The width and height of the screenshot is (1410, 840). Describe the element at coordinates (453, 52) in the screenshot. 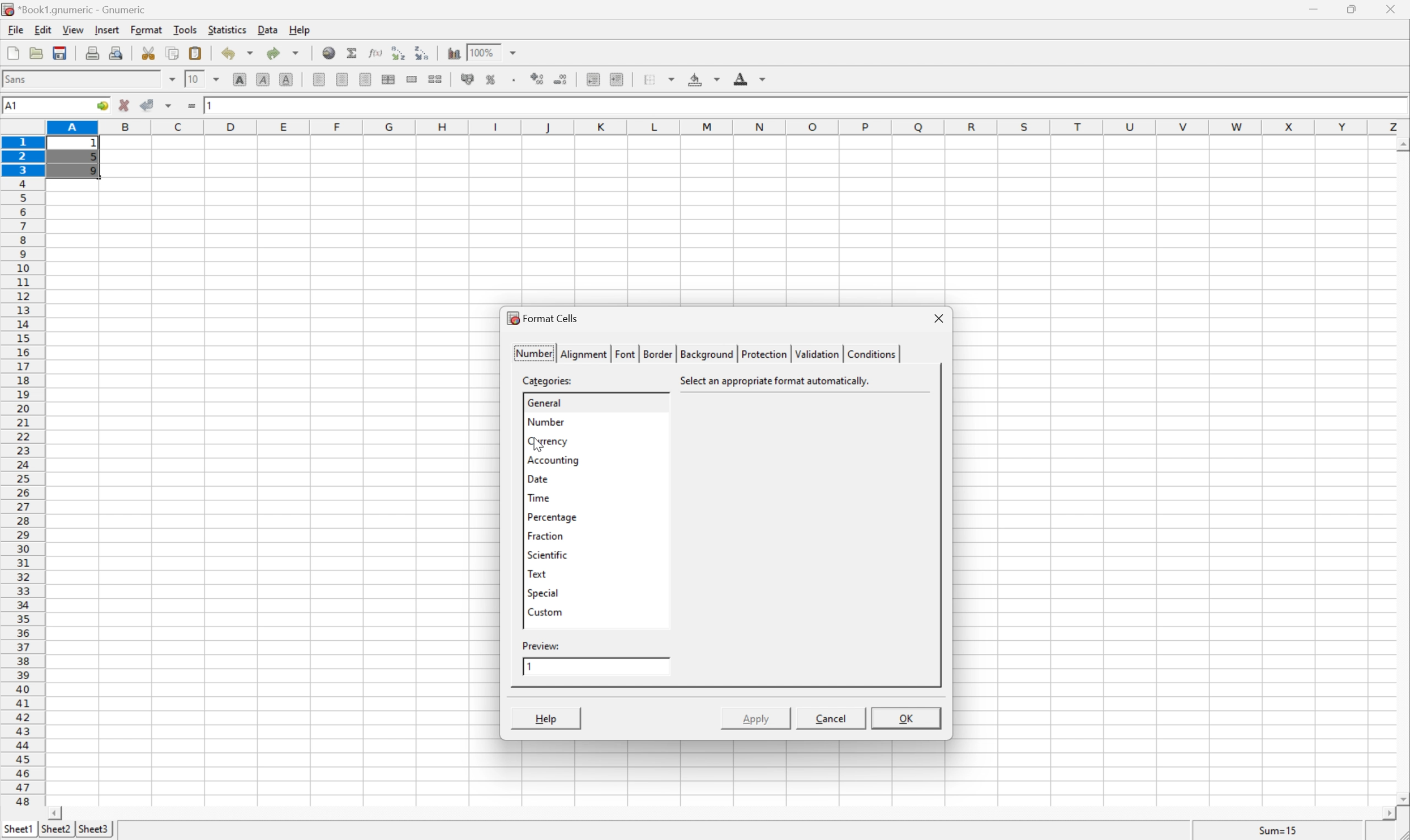

I see `insert chart` at that location.